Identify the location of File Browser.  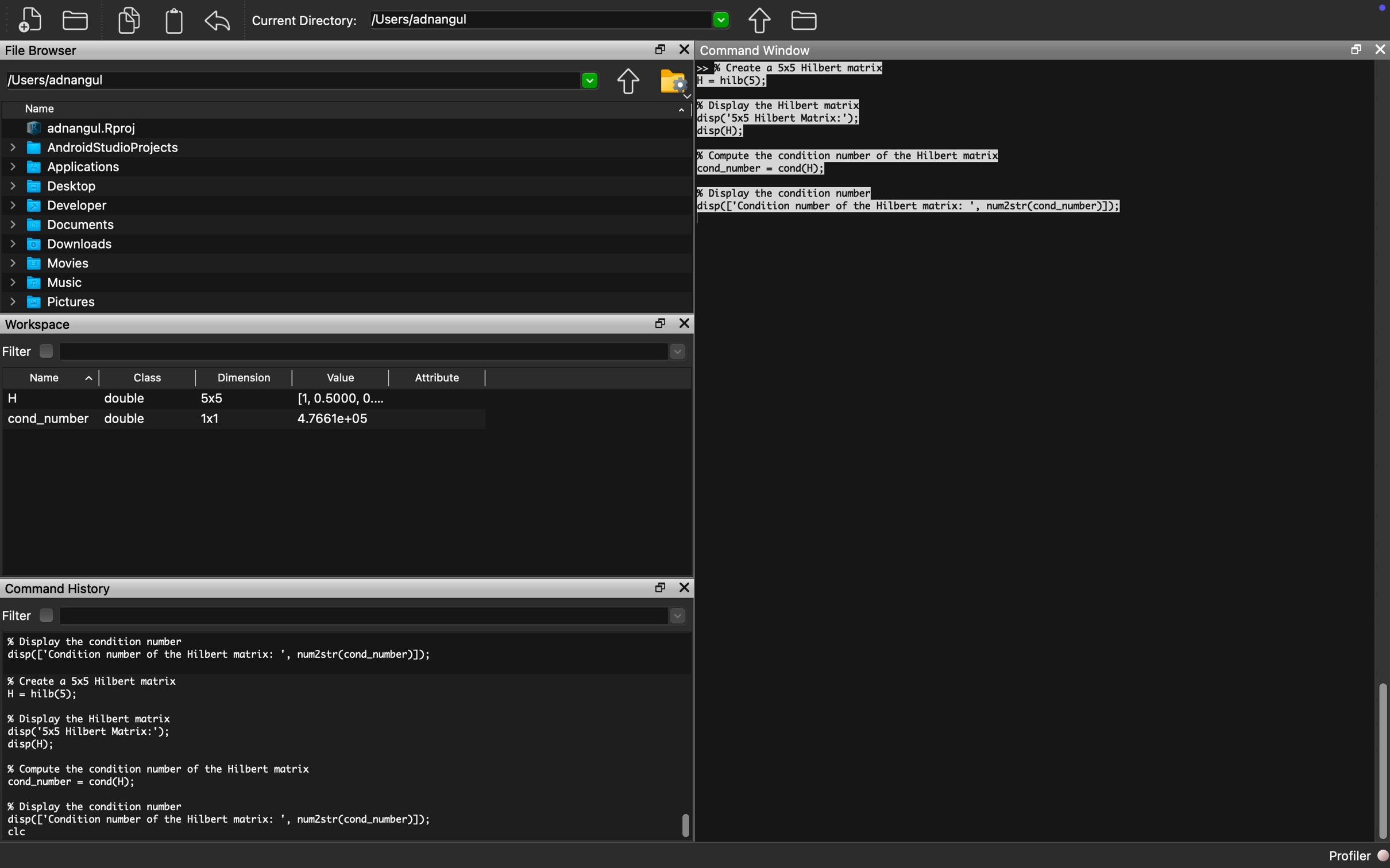
(43, 50).